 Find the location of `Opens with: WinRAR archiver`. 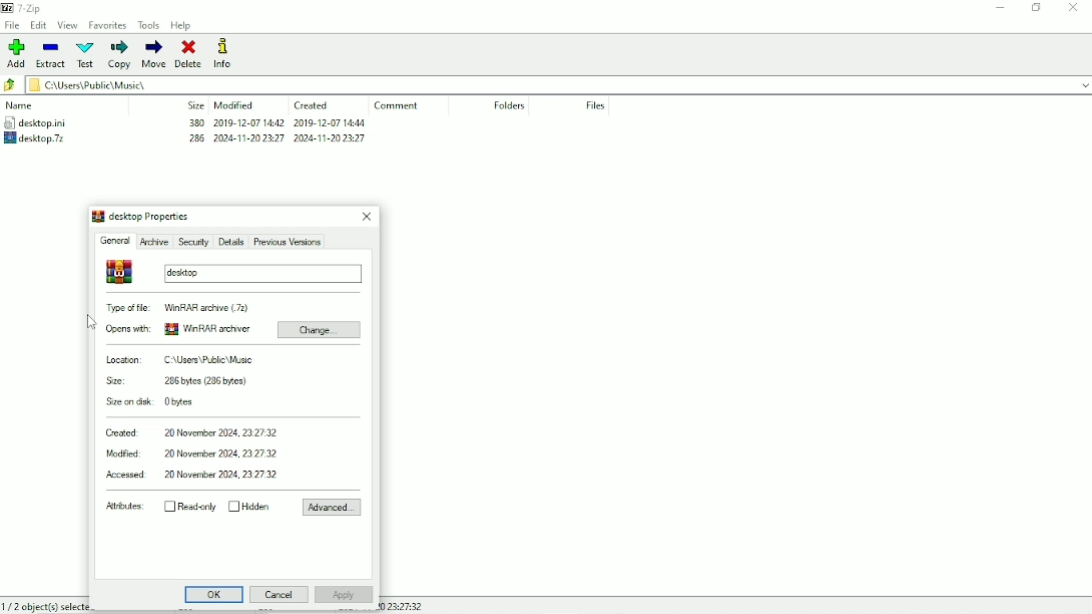

Opens with: WinRAR archiver is located at coordinates (179, 328).